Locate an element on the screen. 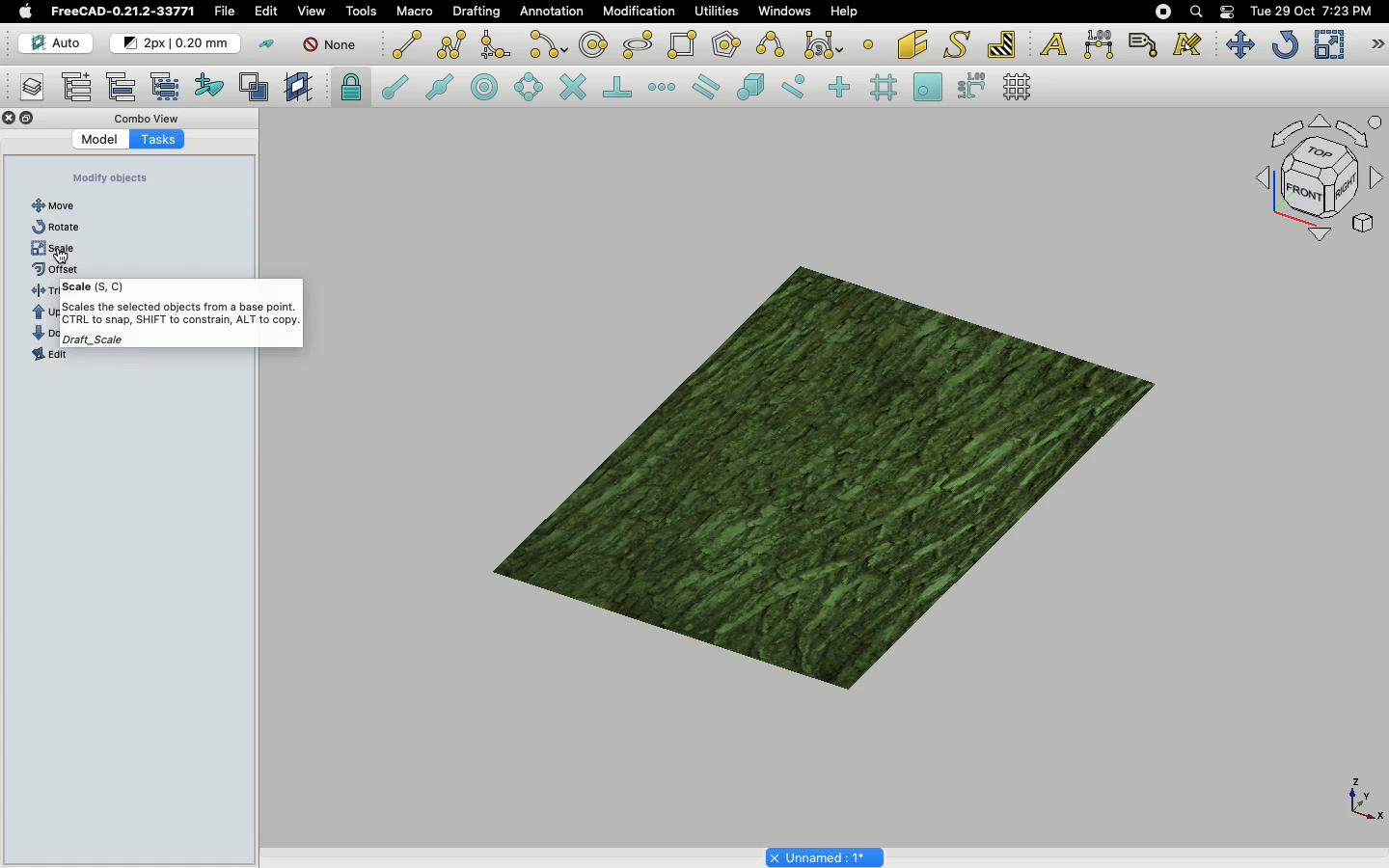 The width and height of the screenshot is (1389, 868). Line is located at coordinates (51, 203).